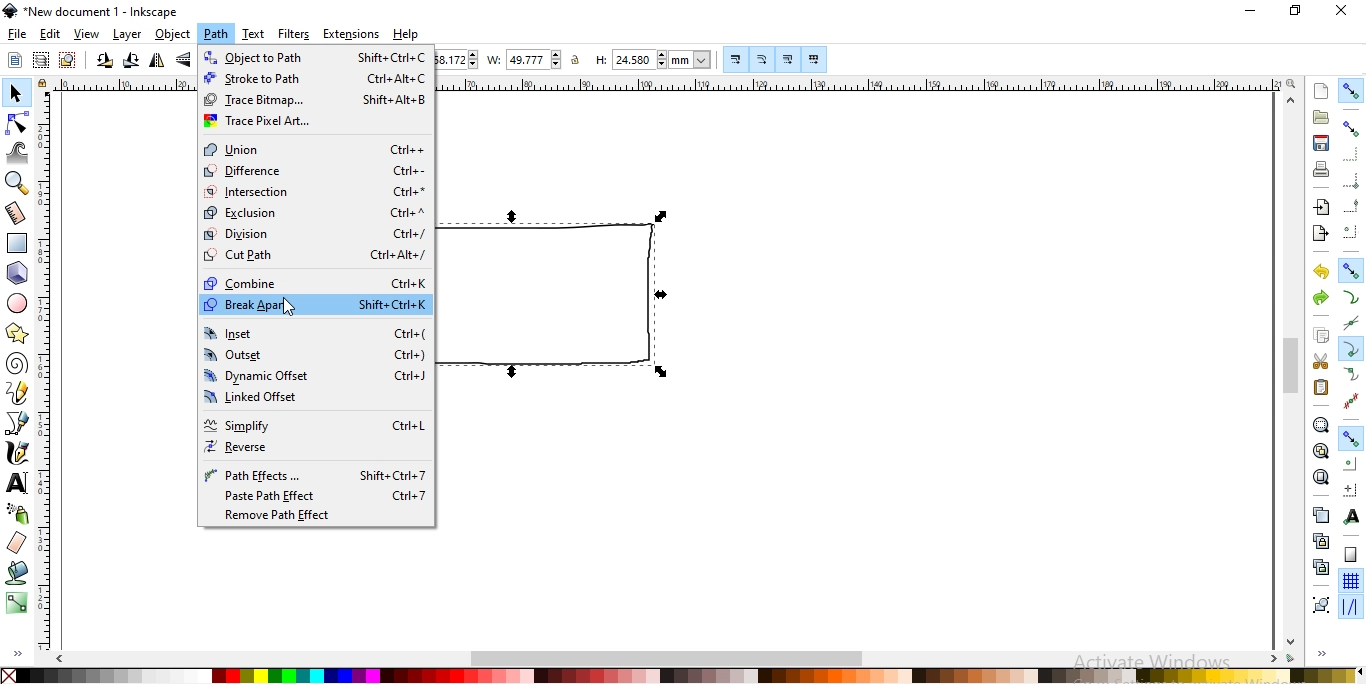  What do you see at coordinates (16, 184) in the screenshot?
I see `zoom in or zoom out` at bounding box center [16, 184].